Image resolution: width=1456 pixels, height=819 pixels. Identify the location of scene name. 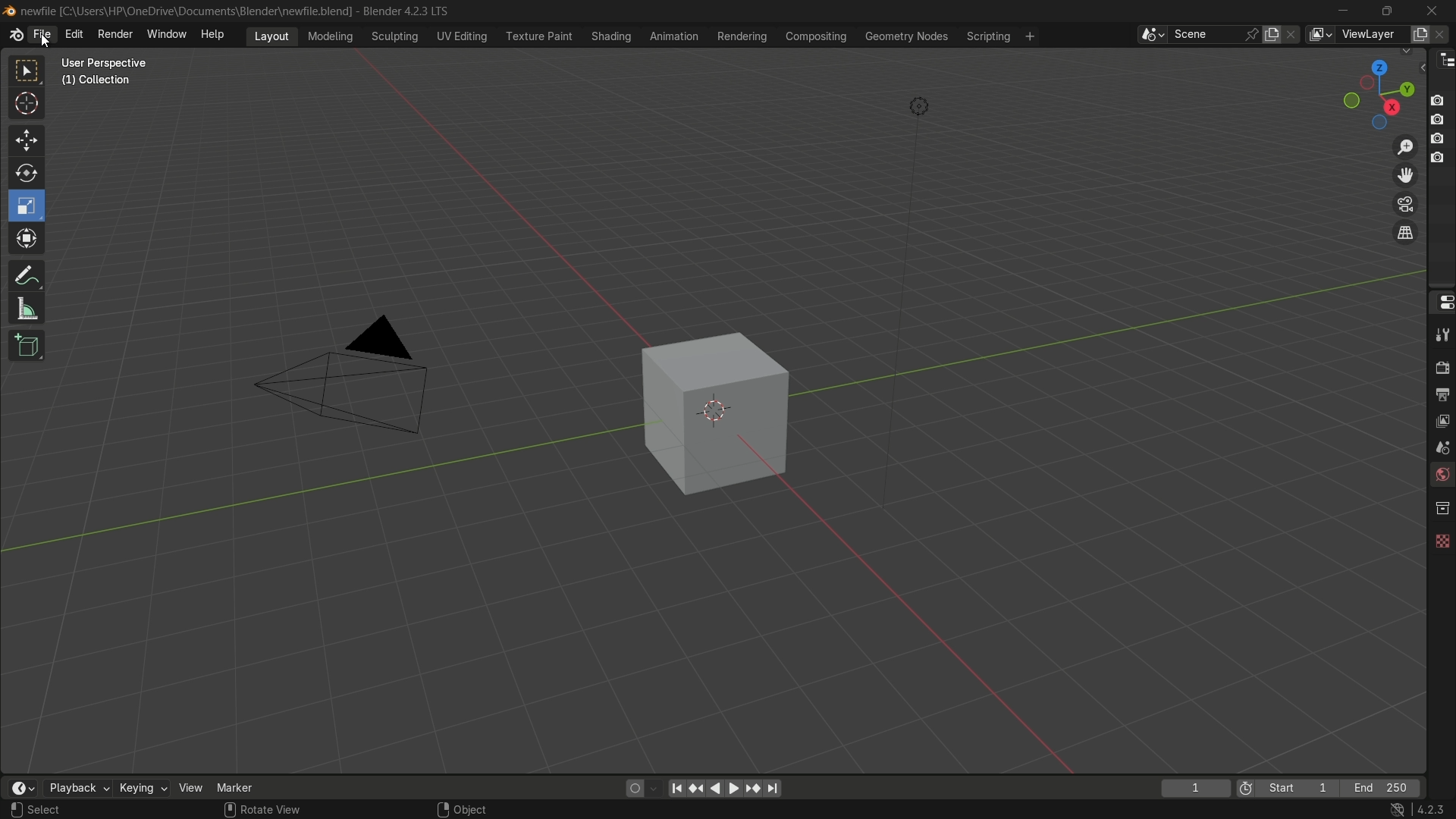
(1205, 33).